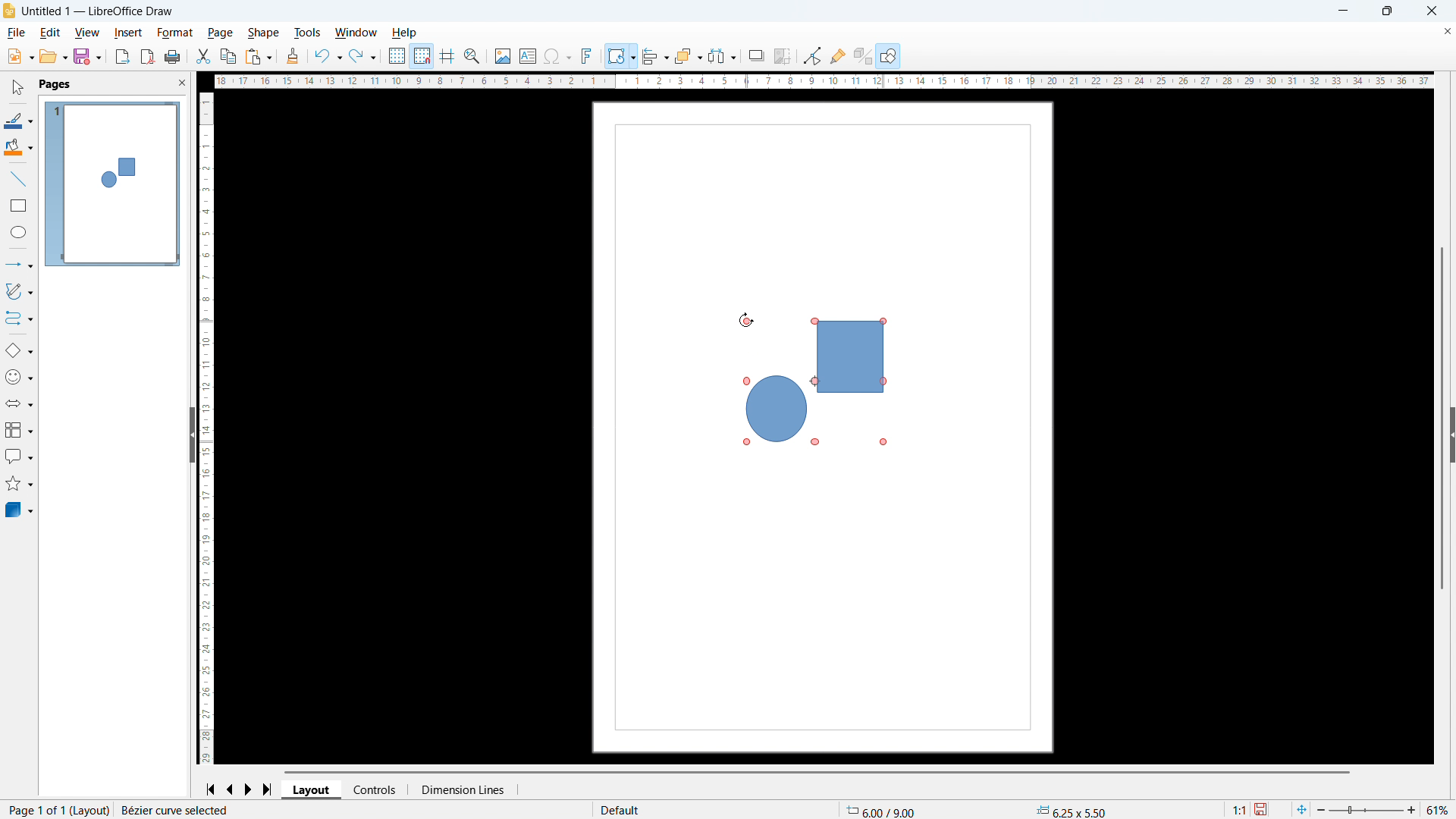 This screenshot has height=819, width=1456. What do you see at coordinates (1387, 11) in the screenshot?
I see `Maximise ` at bounding box center [1387, 11].